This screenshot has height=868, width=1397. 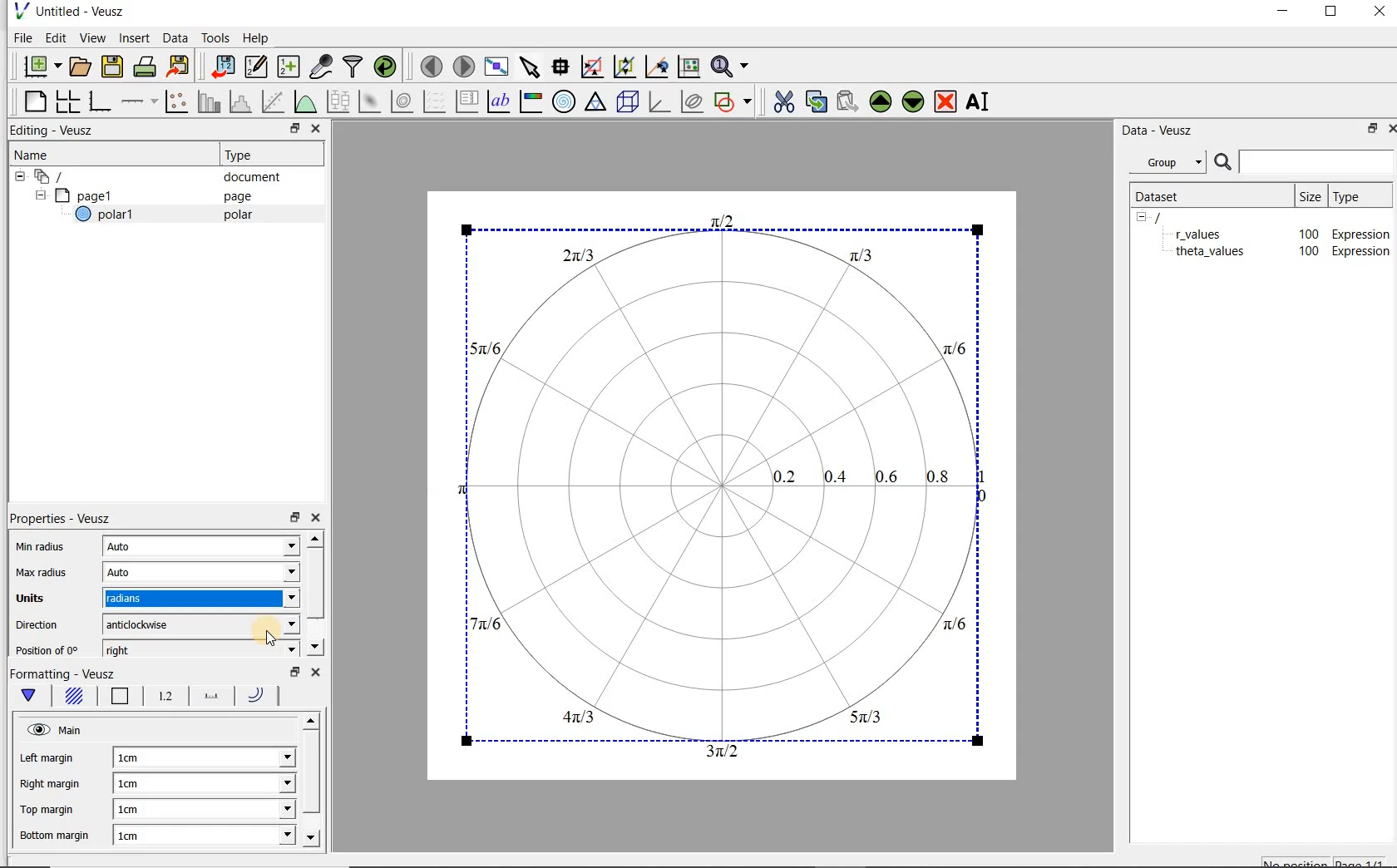 I want to click on units dropdown, so click(x=269, y=600).